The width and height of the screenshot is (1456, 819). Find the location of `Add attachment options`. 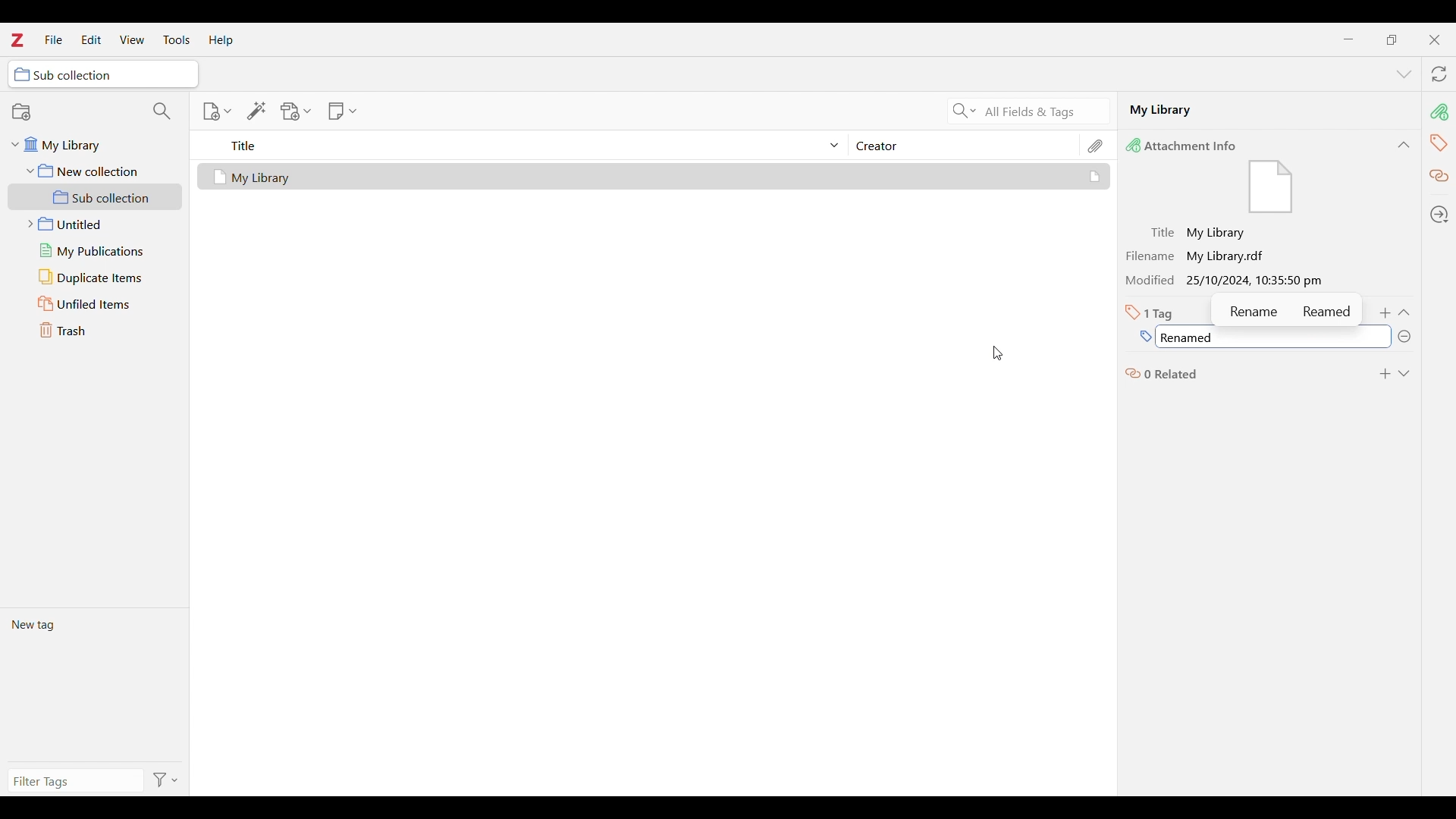

Add attachment options is located at coordinates (297, 111).